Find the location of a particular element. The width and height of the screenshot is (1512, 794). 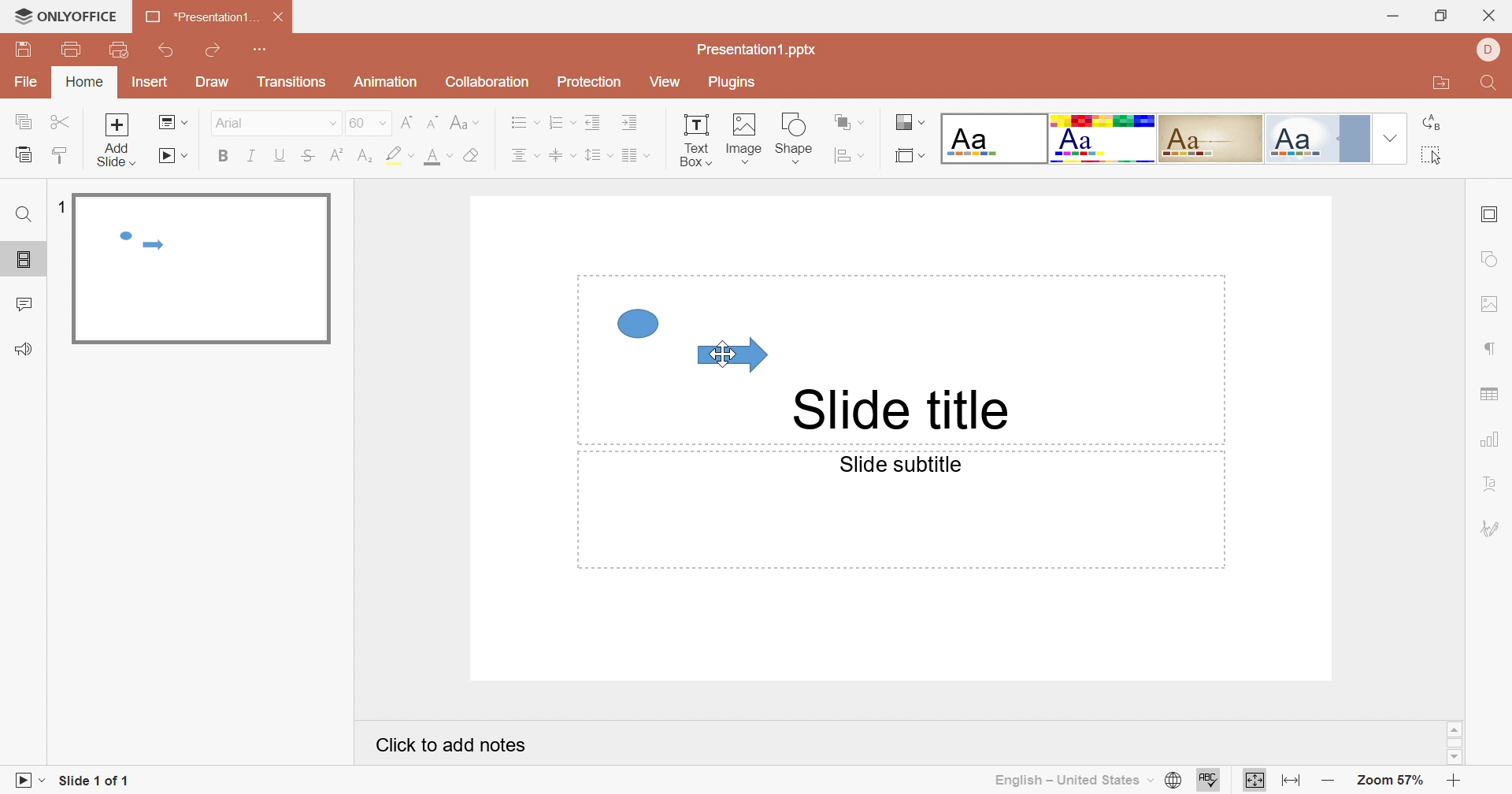

Increase Indent is located at coordinates (630, 121).